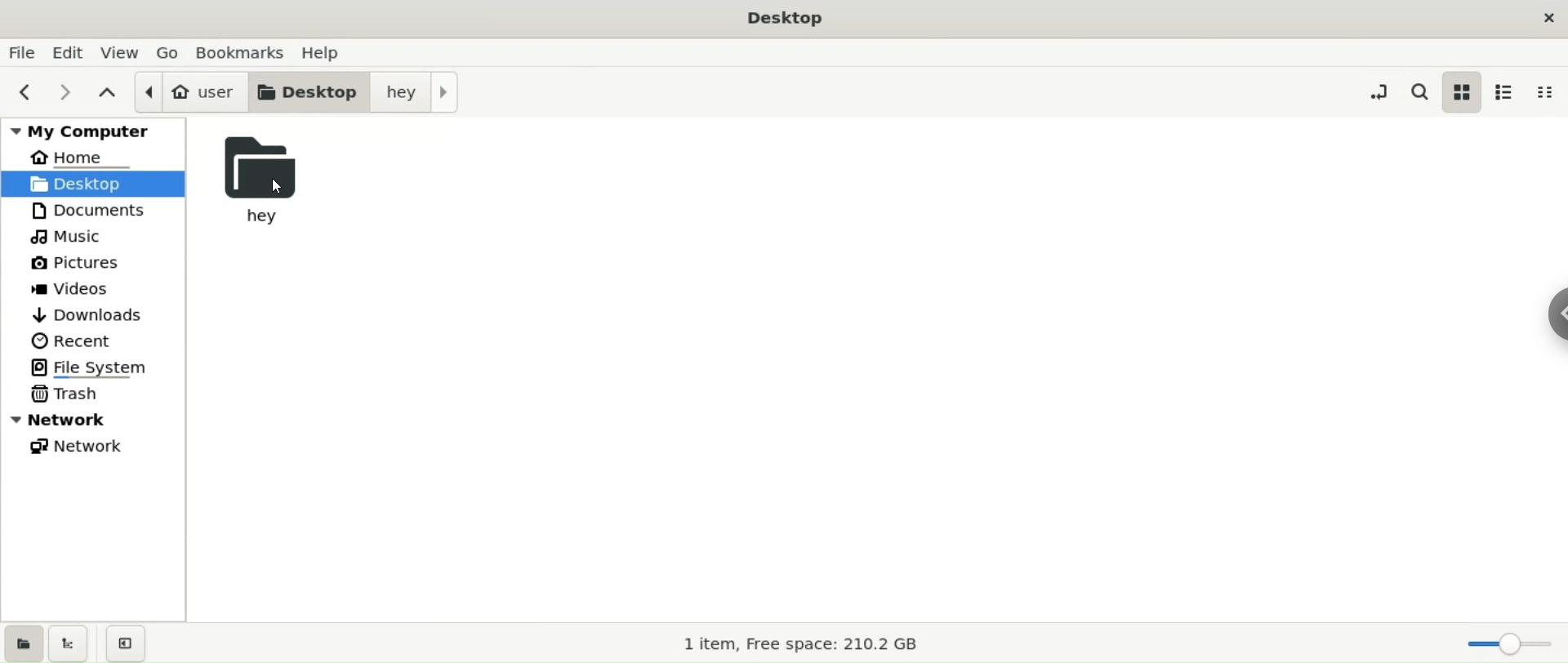  Describe the element at coordinates (23, 642) in the screenshot. I see `show places` at that location.